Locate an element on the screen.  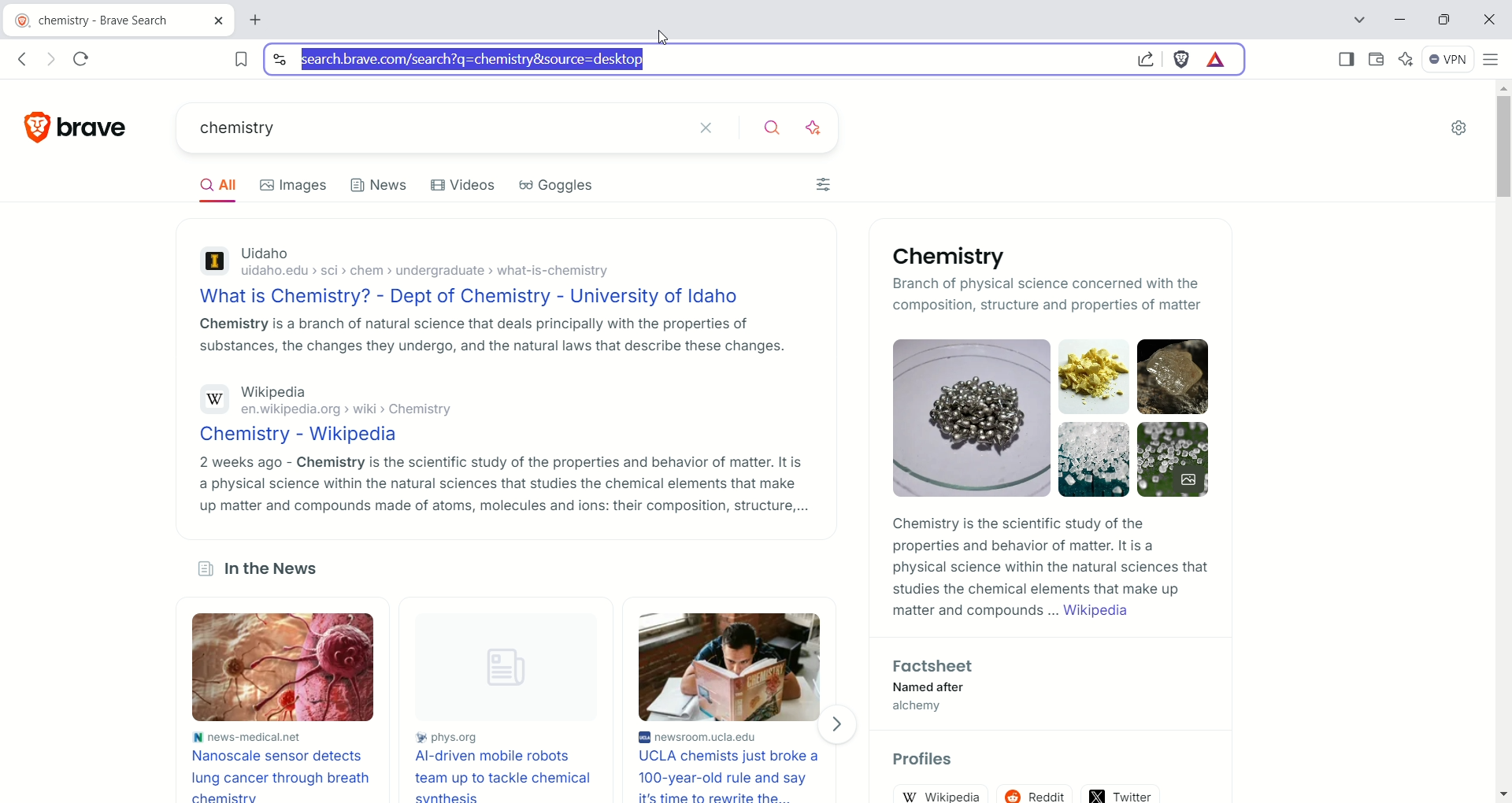
Factsheet is located at coordinates (936, 667).